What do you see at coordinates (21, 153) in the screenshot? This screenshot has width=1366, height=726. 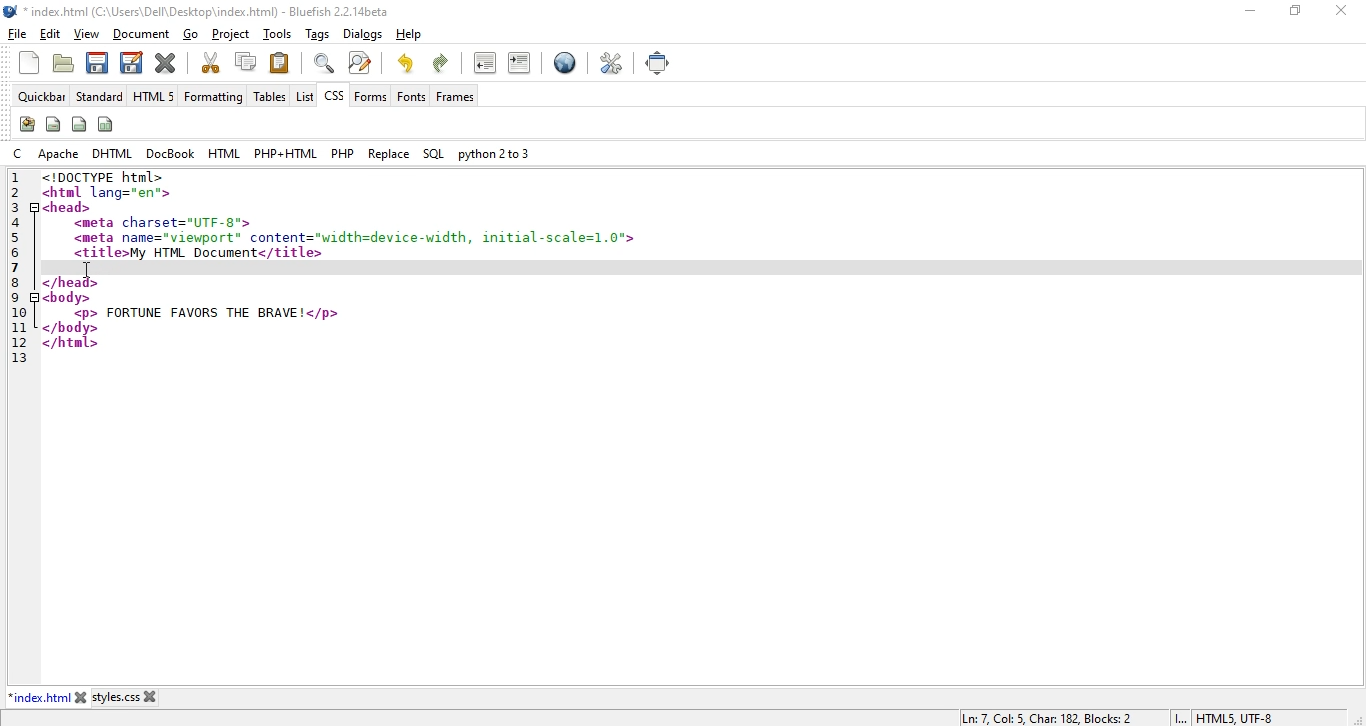 I see `c` at bounding box center [21, 153].